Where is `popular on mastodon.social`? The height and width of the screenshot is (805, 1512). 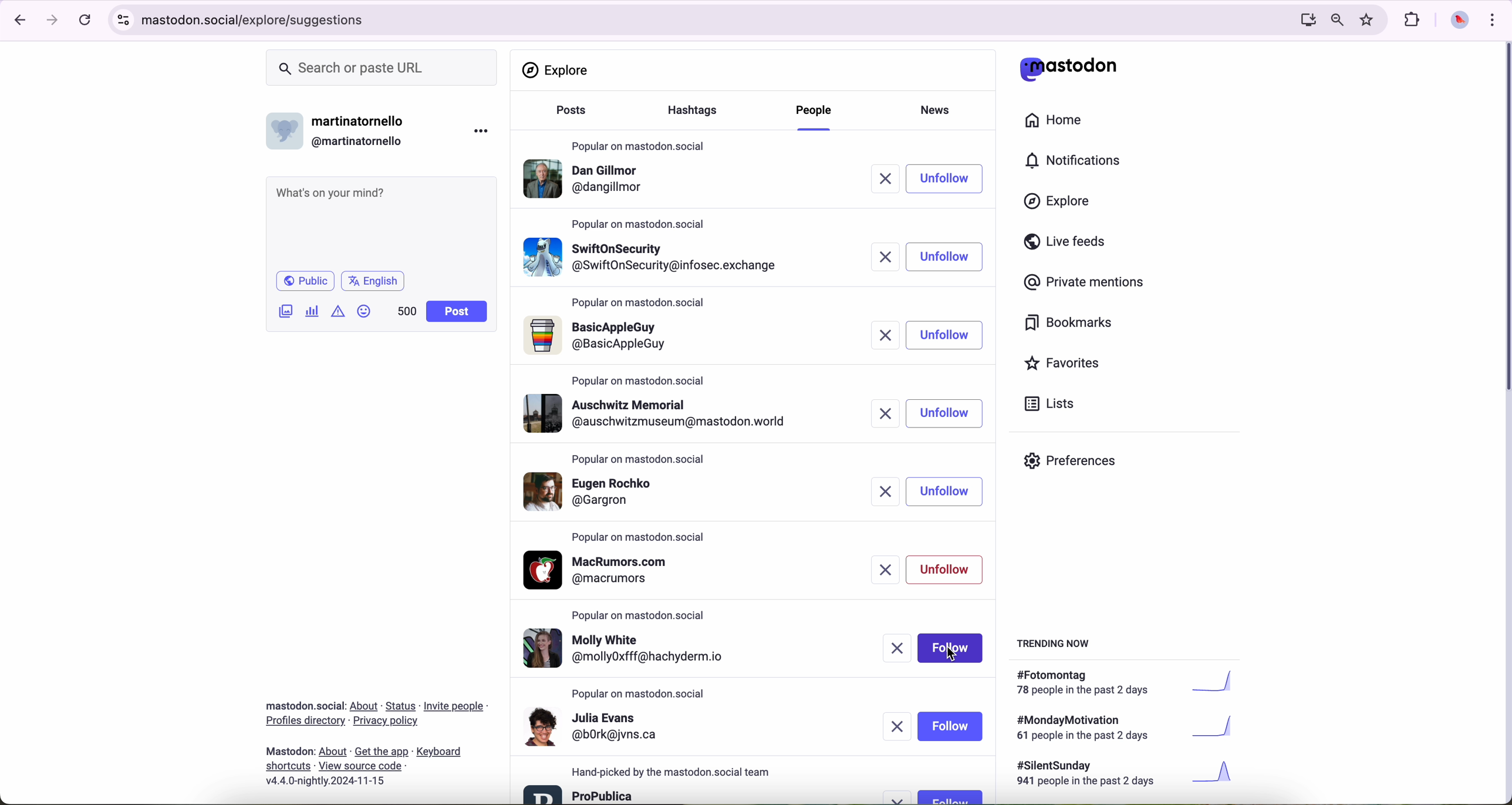 popular on mastodon.social is located at coordinates (640, 304).